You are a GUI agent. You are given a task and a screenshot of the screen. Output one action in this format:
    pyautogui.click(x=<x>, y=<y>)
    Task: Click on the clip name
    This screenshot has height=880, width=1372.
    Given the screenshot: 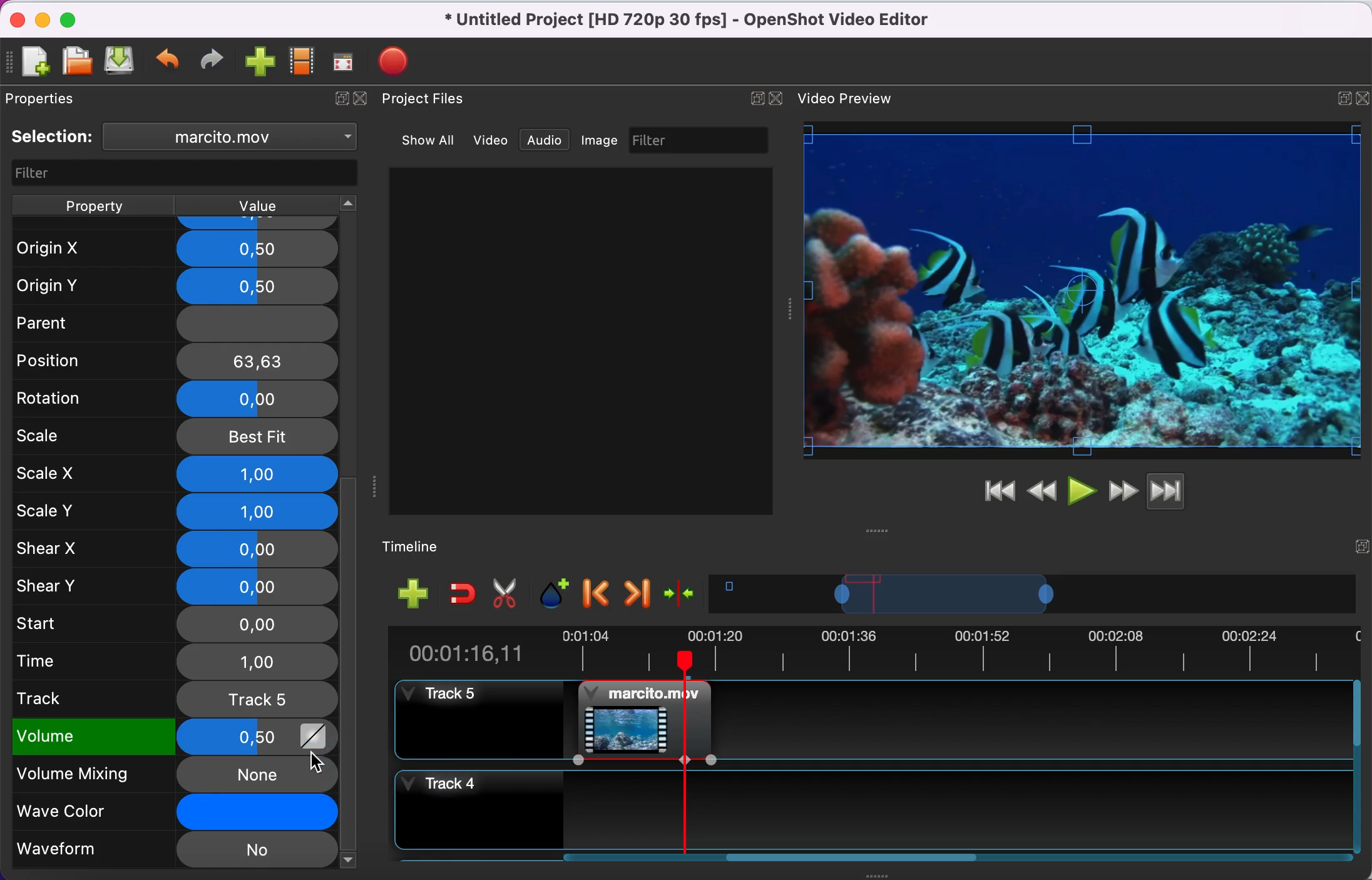 What is the action you would take?
    pyautogui.click(x=232, y=139)
    